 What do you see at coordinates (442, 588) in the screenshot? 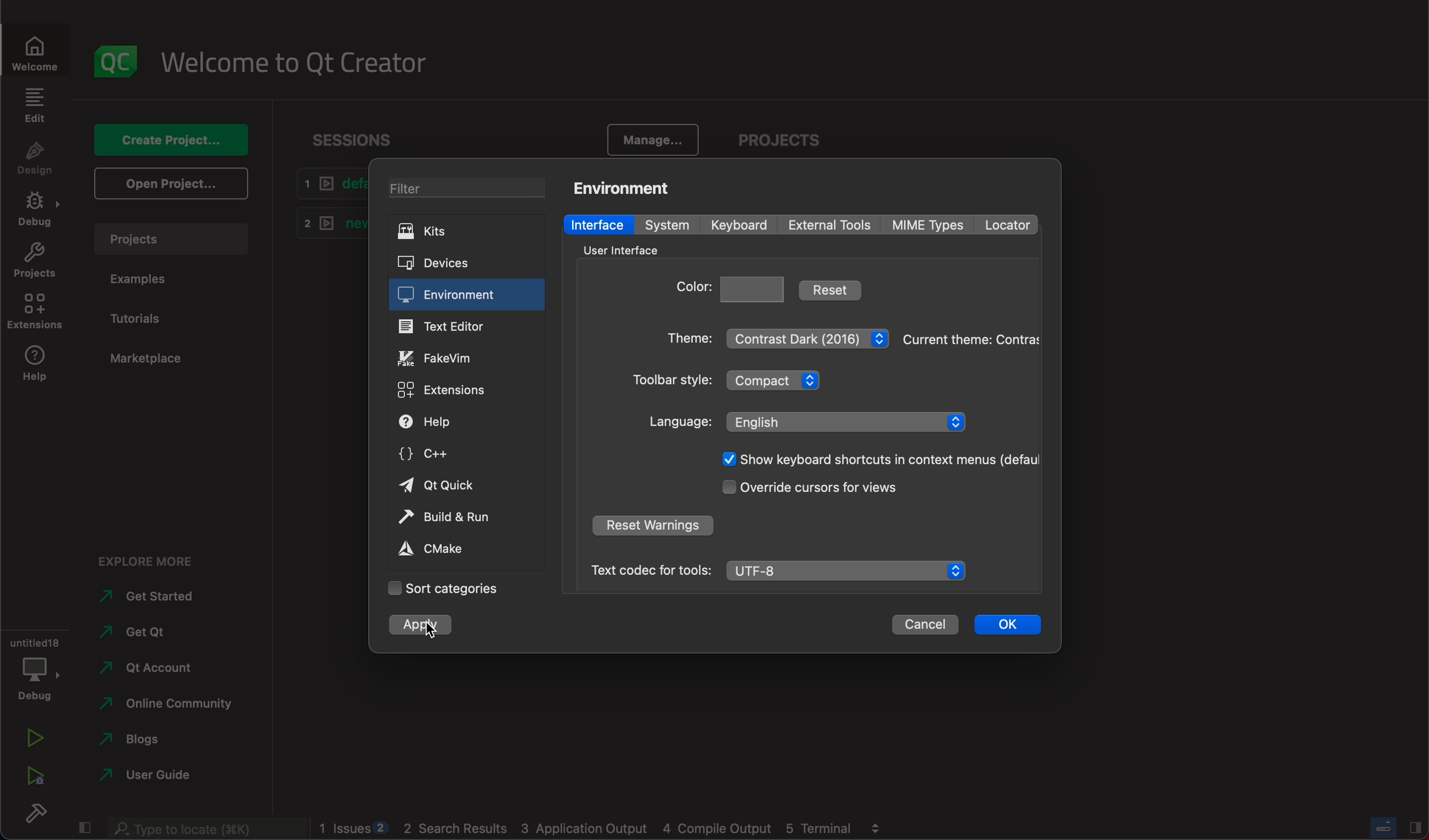
I see `categories` at bounding box center [442, 588].